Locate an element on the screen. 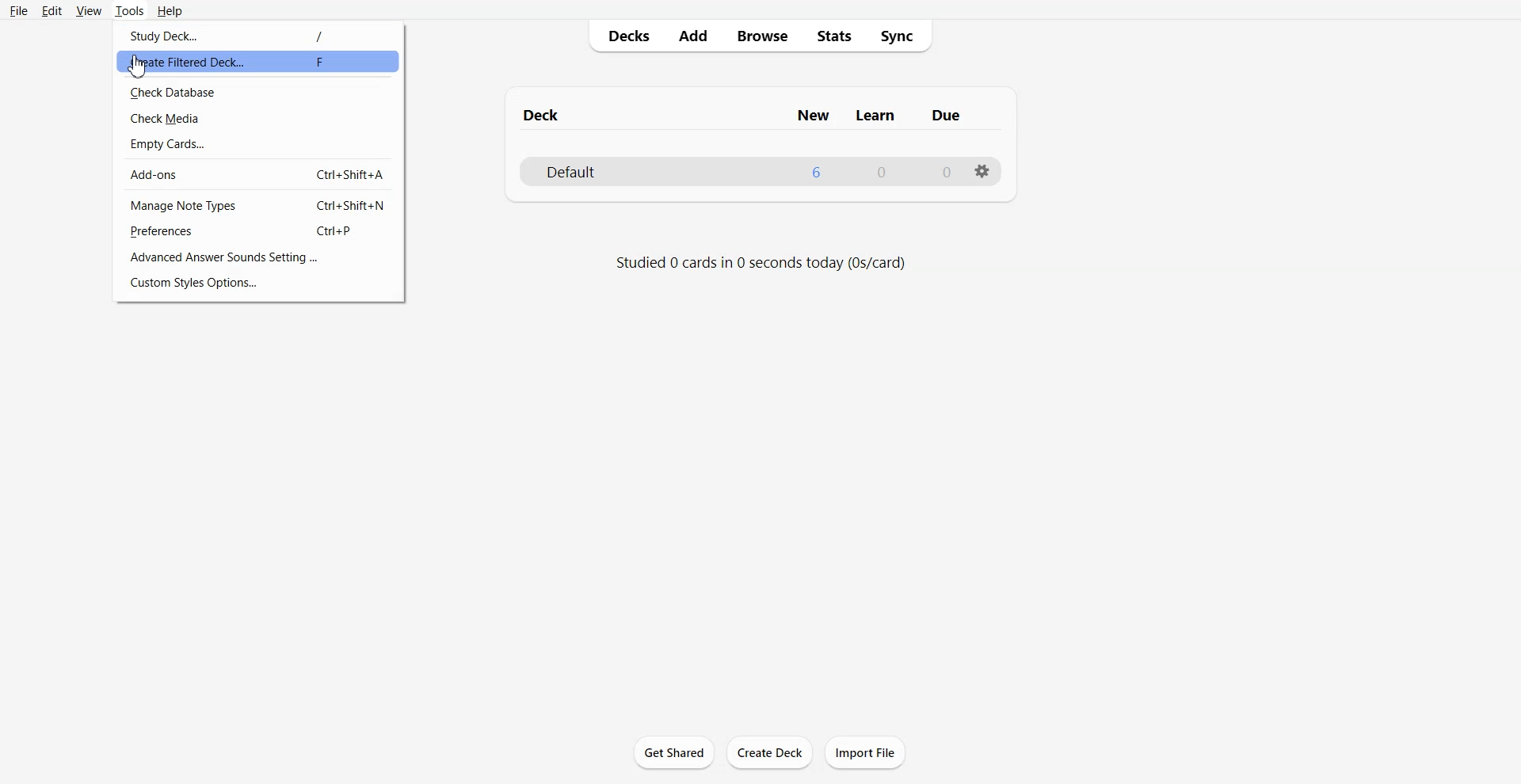 The image size is (1521, 784). cursor is located at coordinates (141, 70).